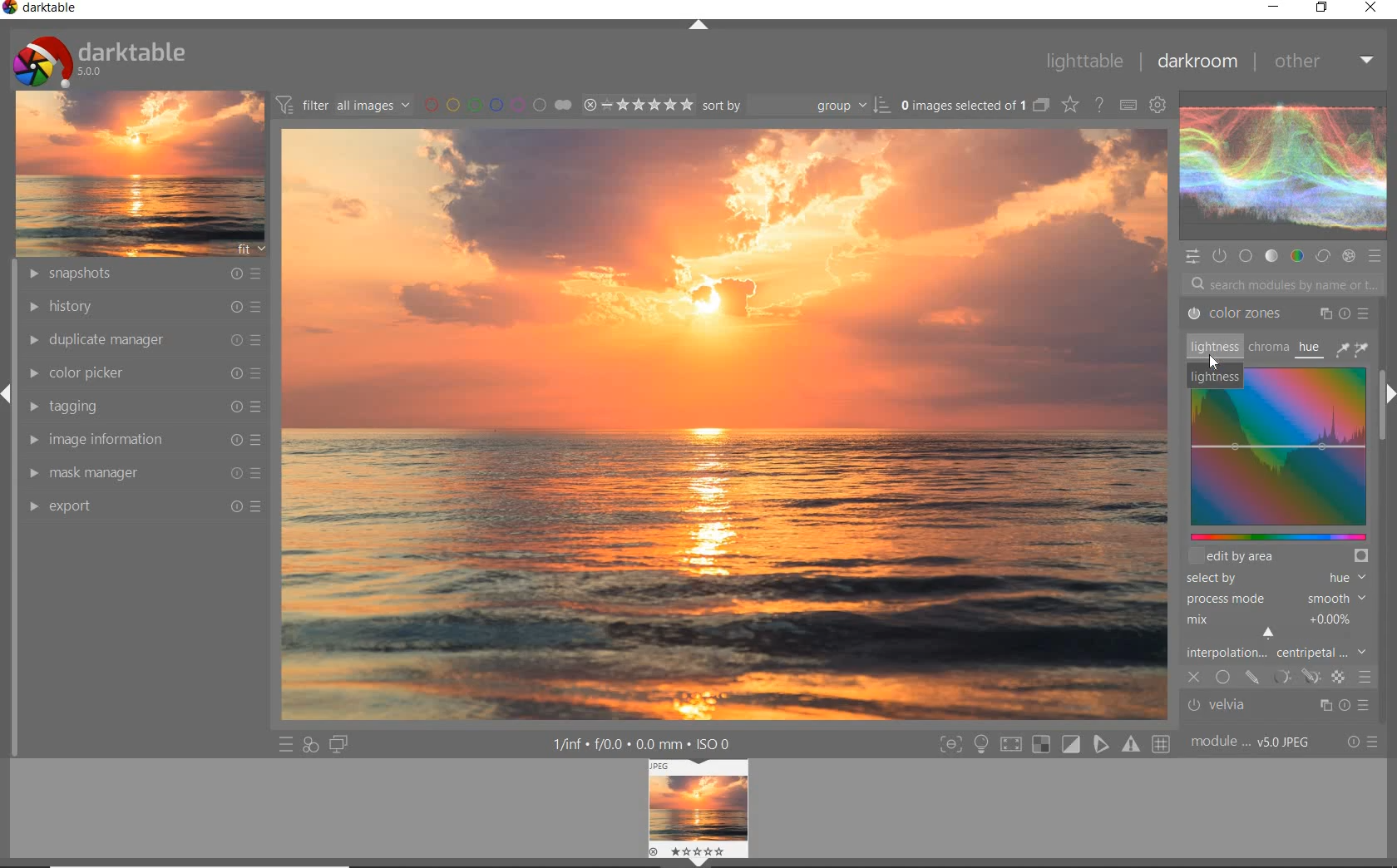 The width and height of the screenshot is (1397, 868). I want to click on show global preference, so click(1159, 104).